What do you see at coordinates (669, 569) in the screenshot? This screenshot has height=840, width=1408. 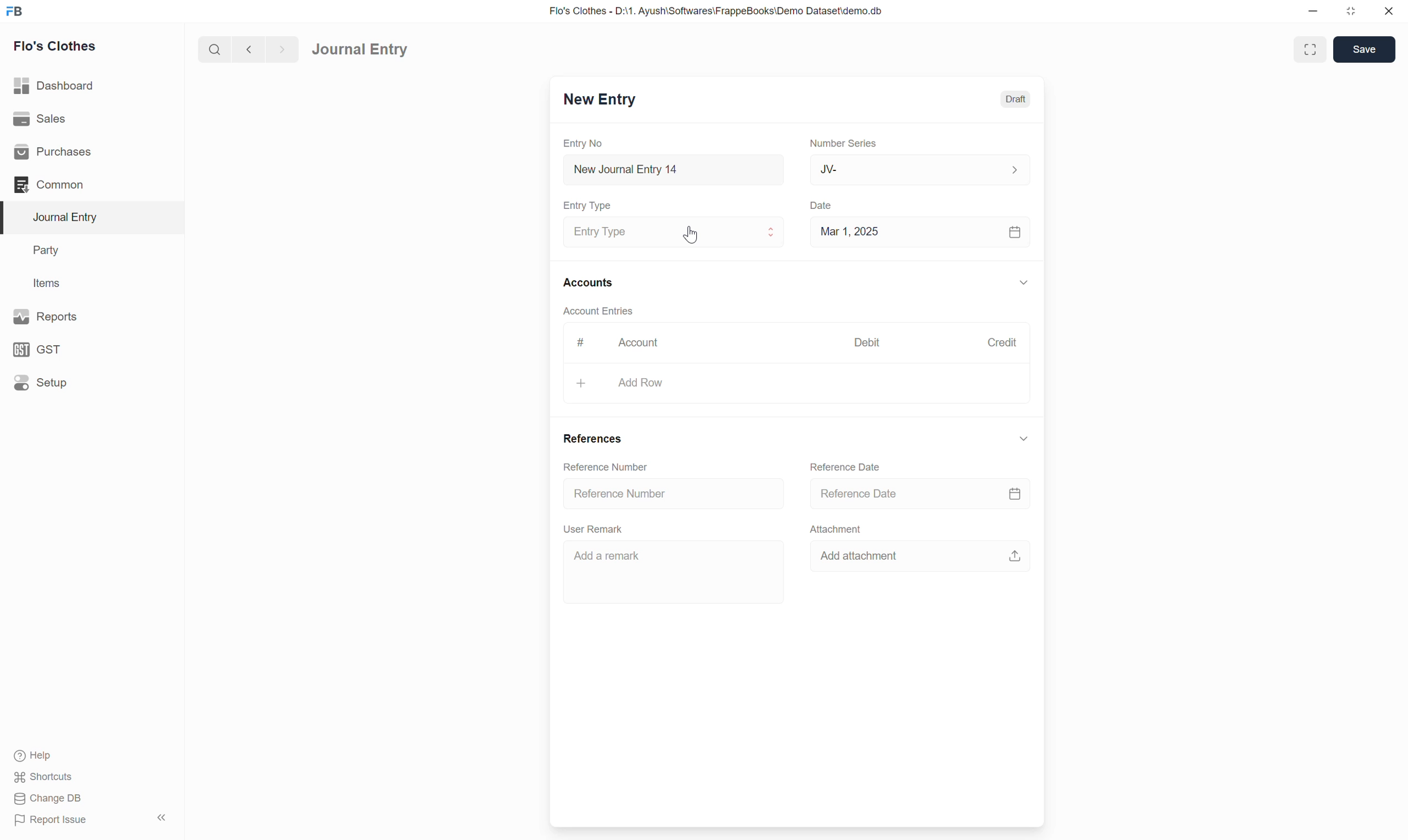 I see `Add a remark` at bounding box center [669, 569].